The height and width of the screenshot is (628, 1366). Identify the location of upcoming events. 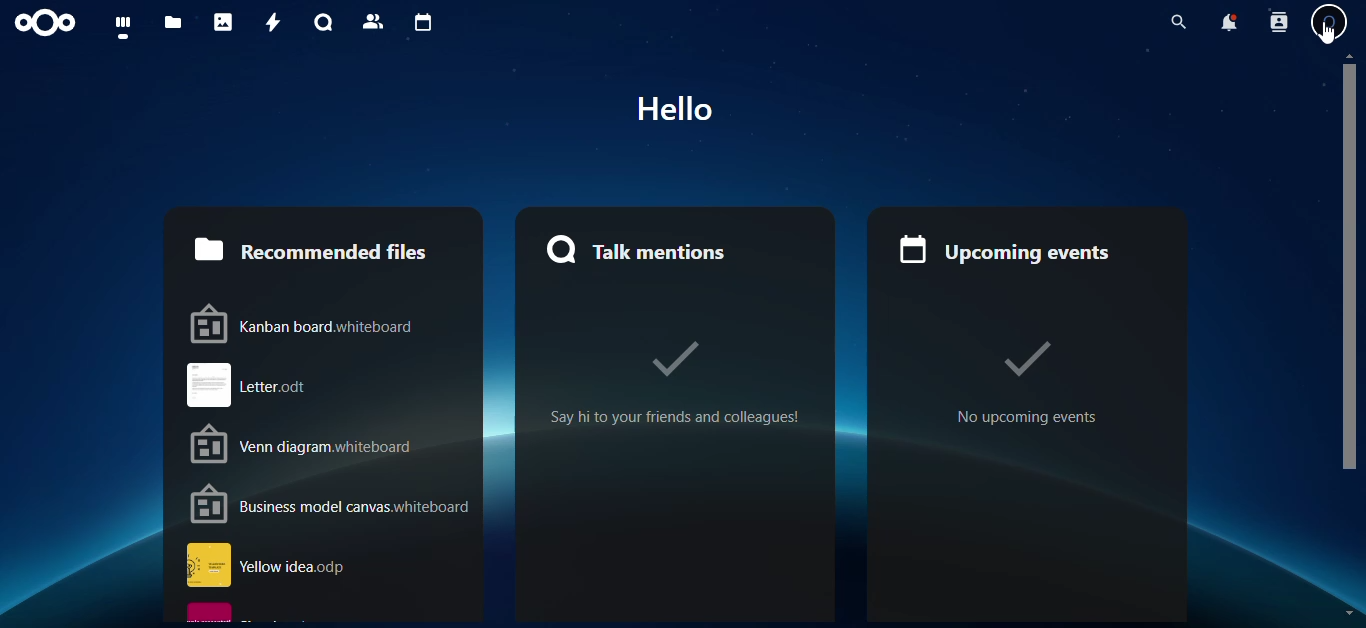
(1028, 249).